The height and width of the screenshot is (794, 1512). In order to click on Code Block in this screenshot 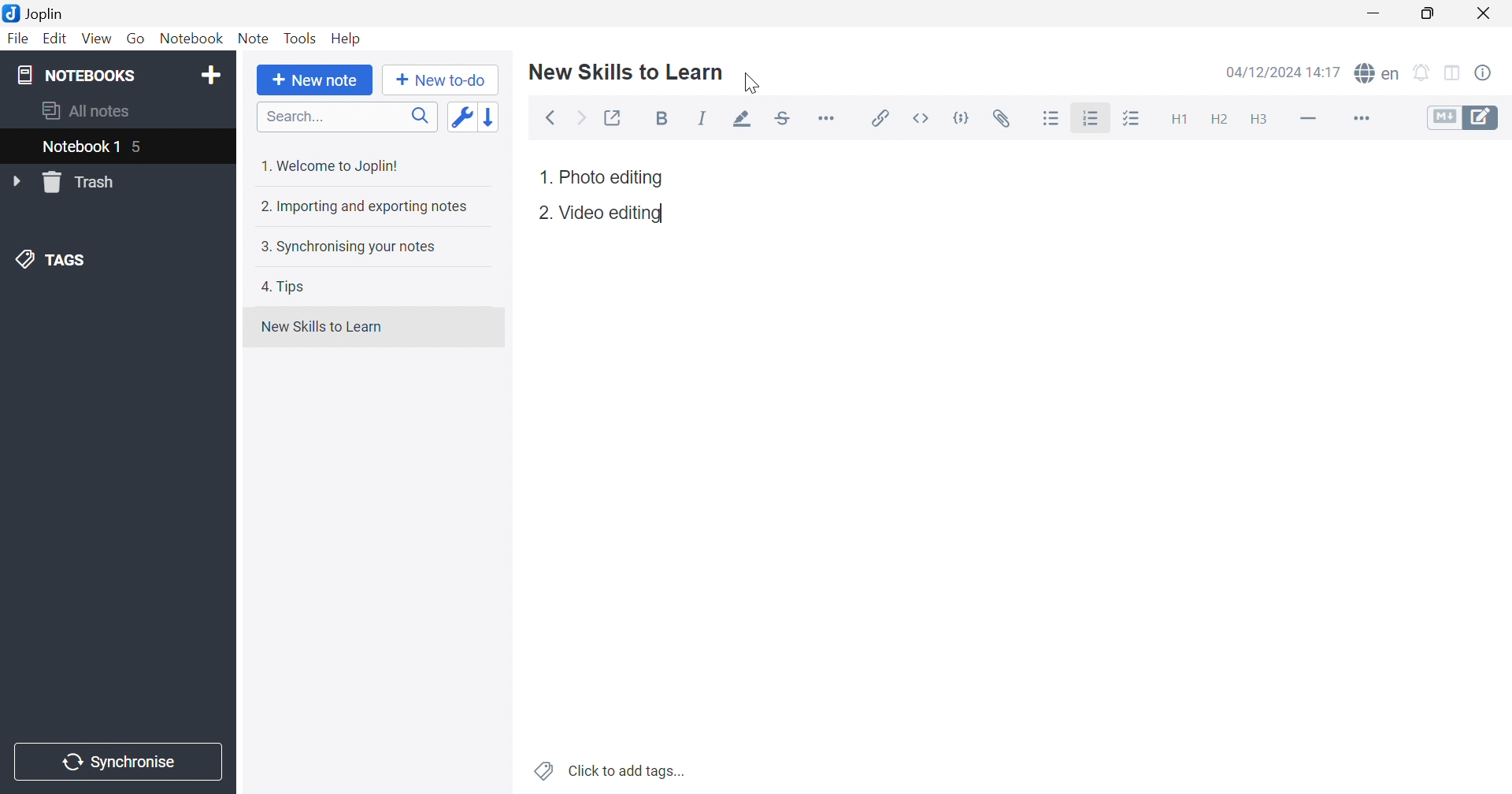, I will do `click(965, 121)`.